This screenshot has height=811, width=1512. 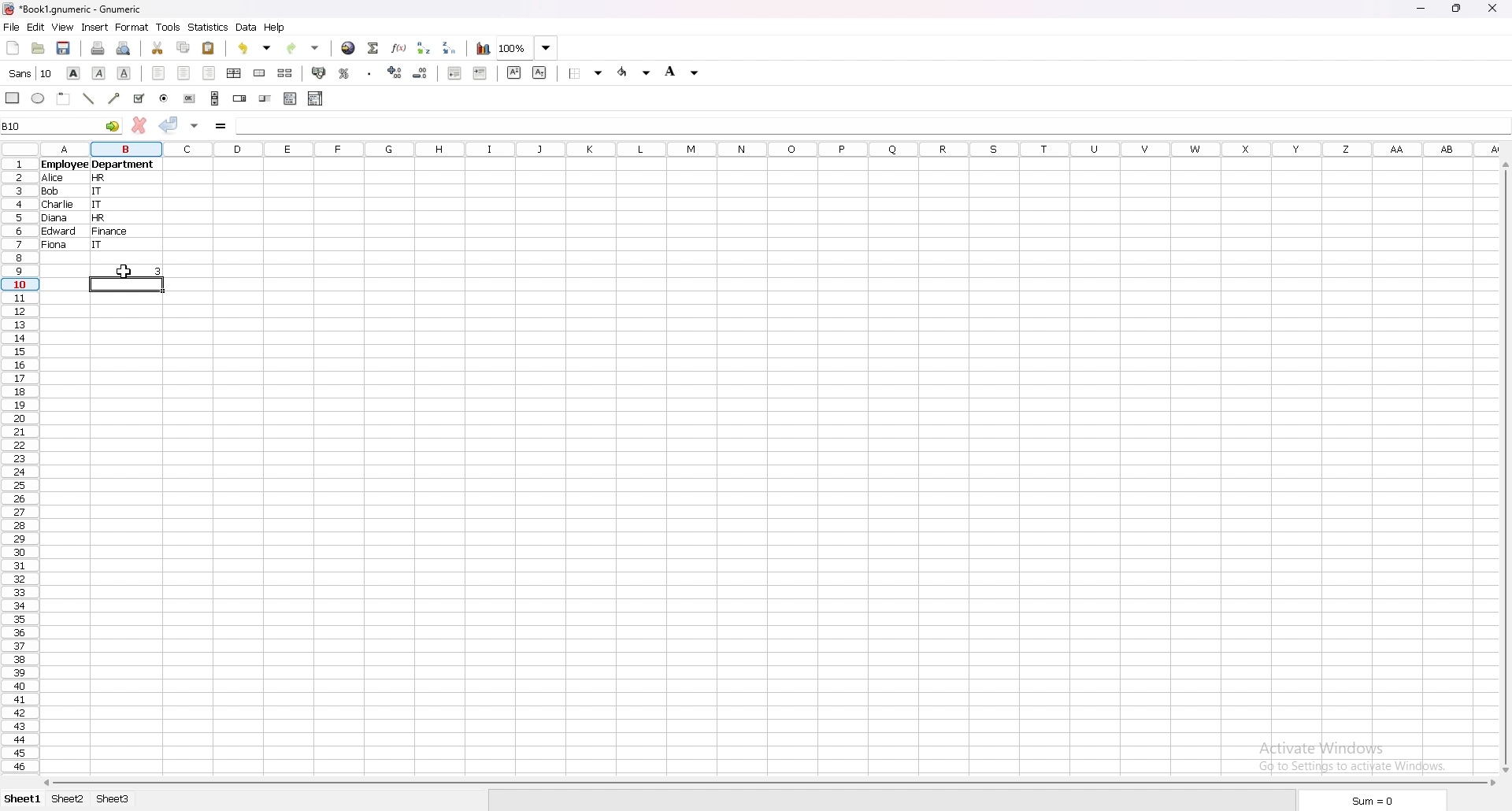 I want to click on thousands separator, so click(x=369, y=72).